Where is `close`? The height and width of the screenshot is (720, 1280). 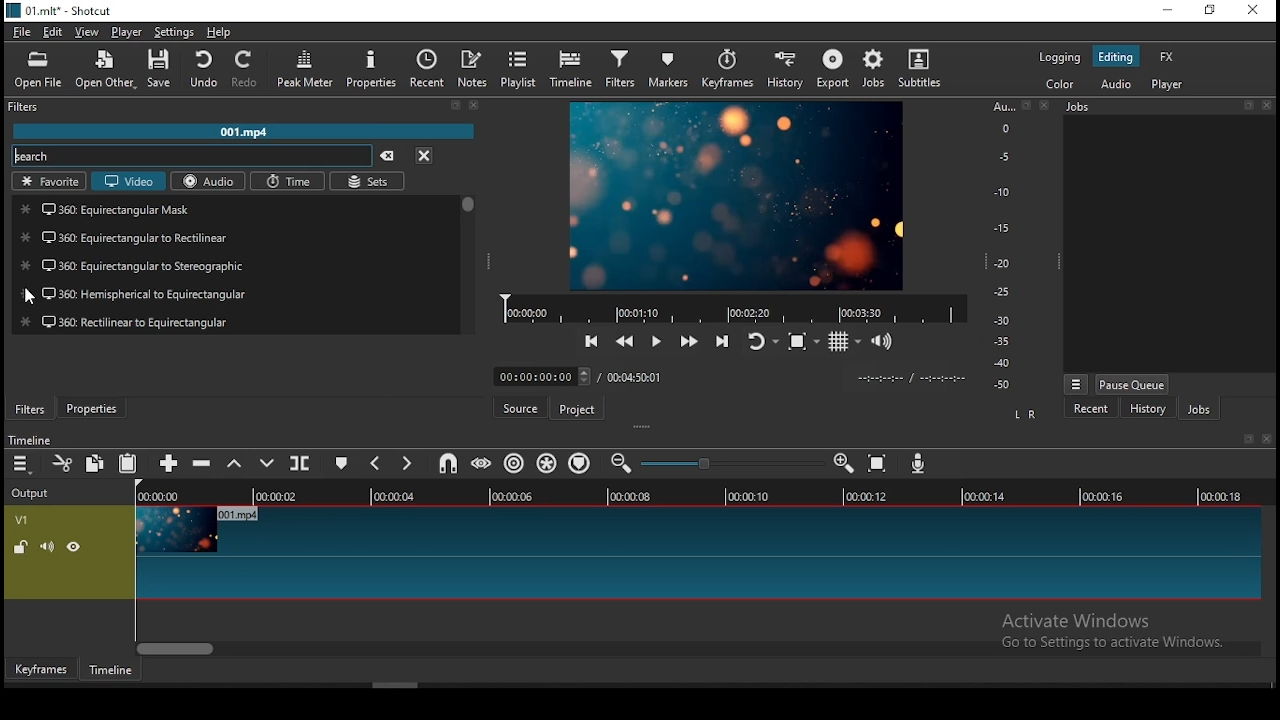
close is located at coordinates (1267, 439).